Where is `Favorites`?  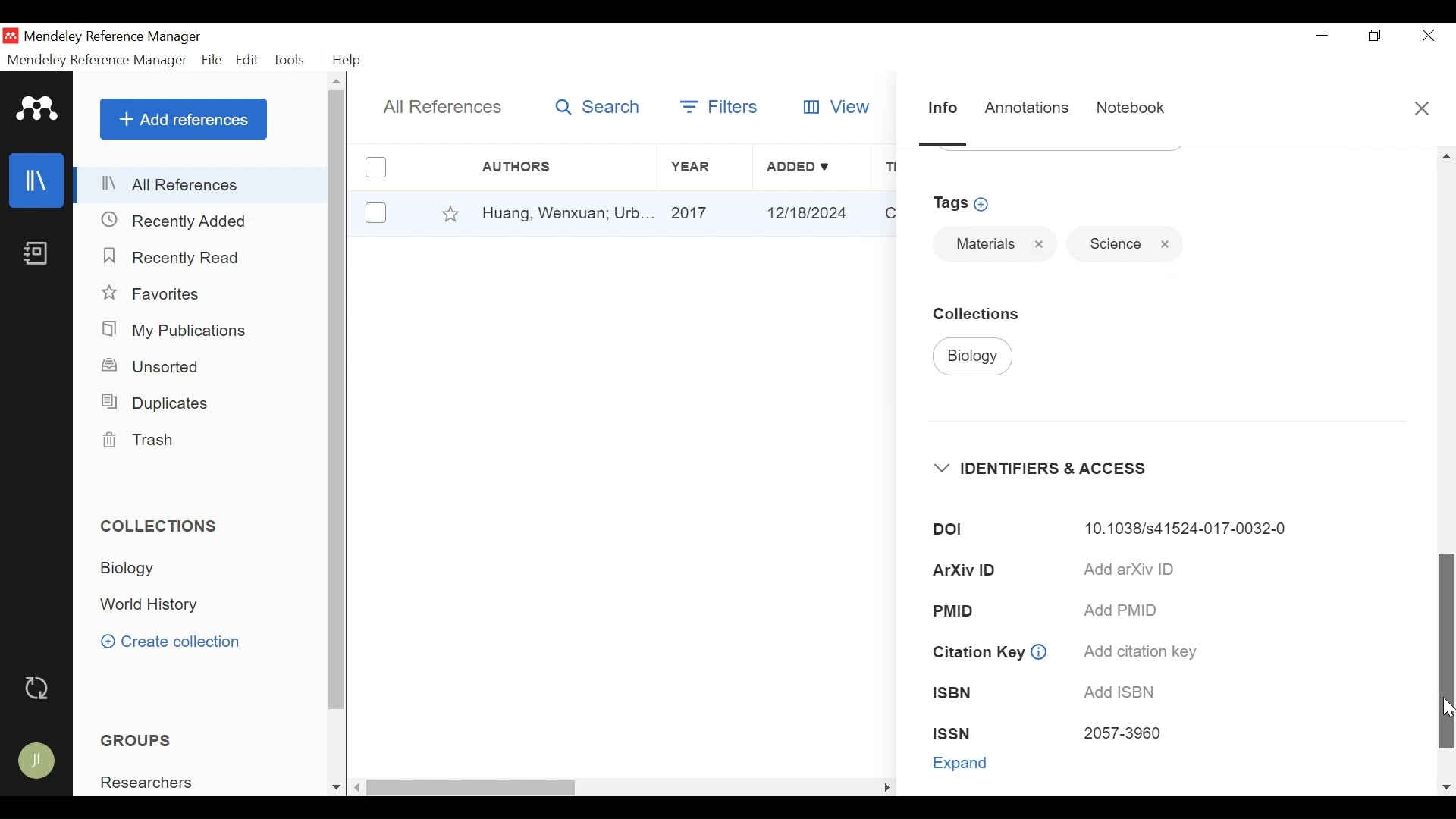
Favorites is located at coordinates (155, 294).